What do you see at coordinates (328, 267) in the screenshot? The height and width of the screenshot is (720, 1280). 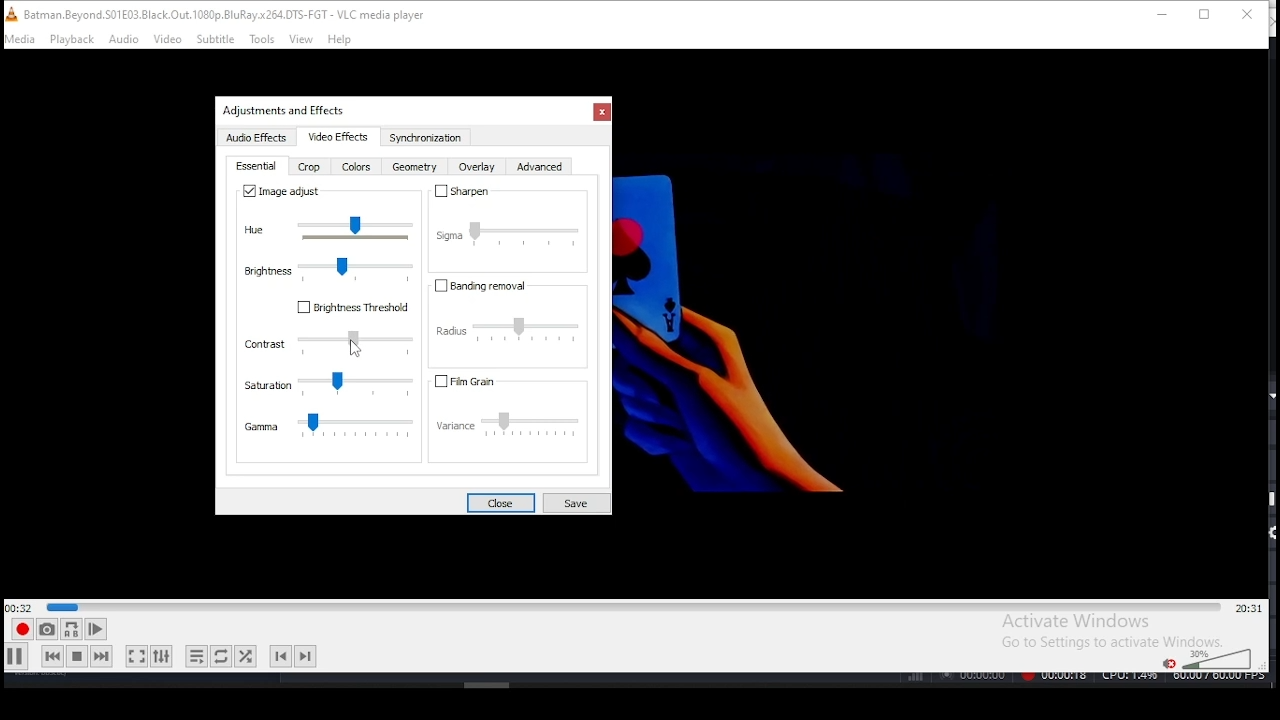 I see `brightness` at bounding box center [328, 267].